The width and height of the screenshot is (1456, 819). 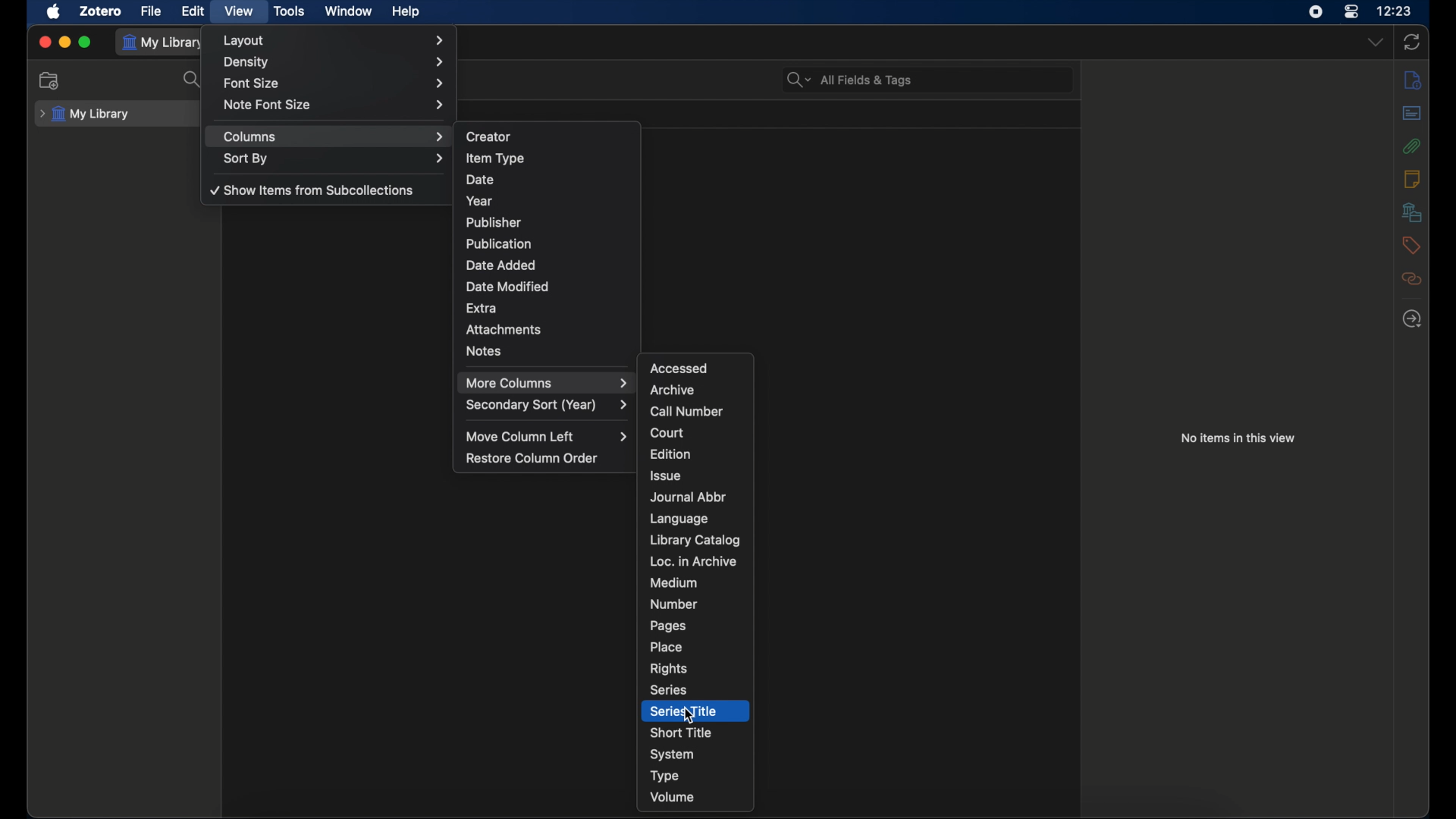 What do you see at coordinates (1410, 245) in the screenshot?
I see `tags` at bounding box center [1410, 245].